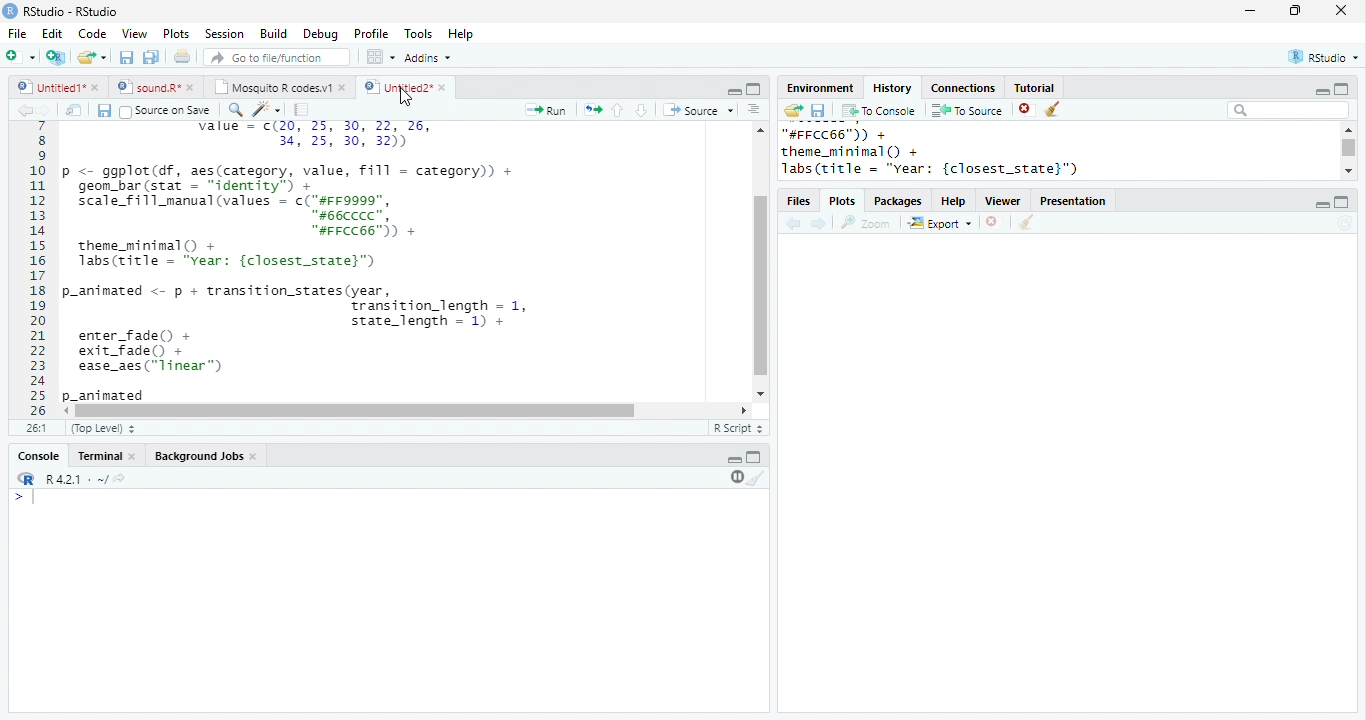  Describe the element at coordinates (321, 35) in the screenshot. I see `Debug` at that location.